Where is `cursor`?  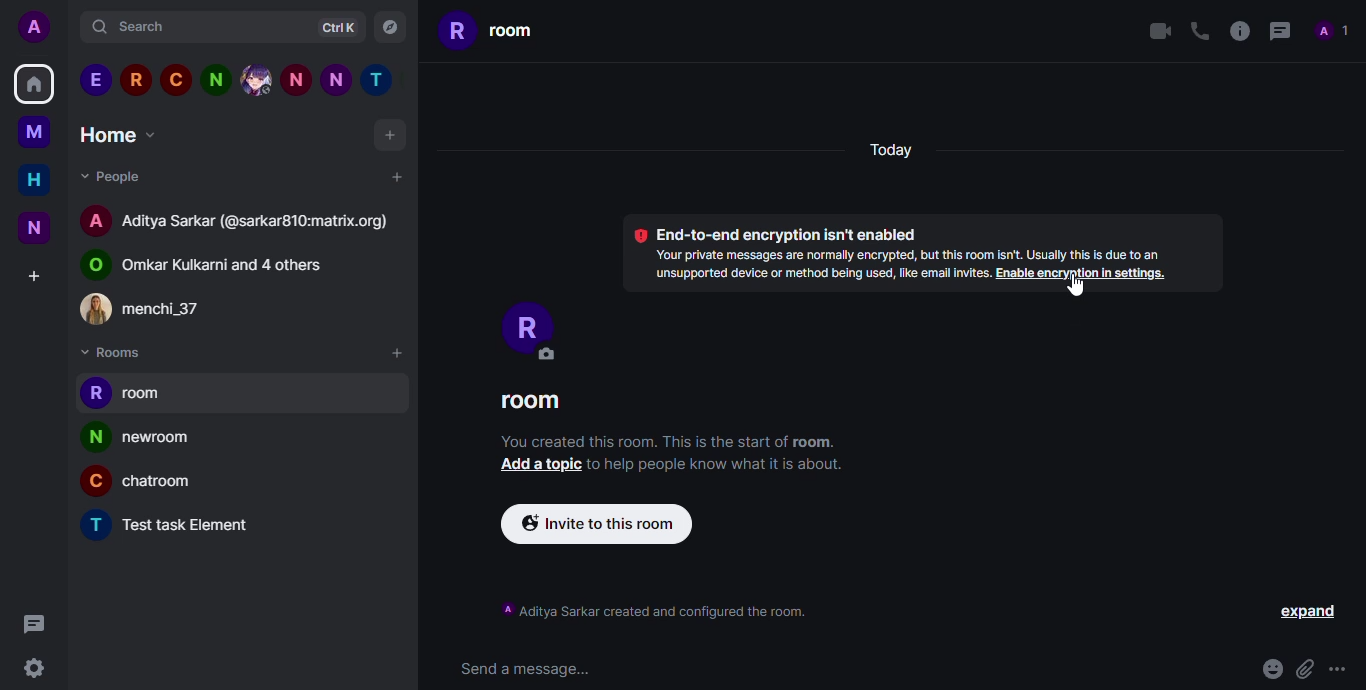 cursor is located at coordinates (1076, 287).